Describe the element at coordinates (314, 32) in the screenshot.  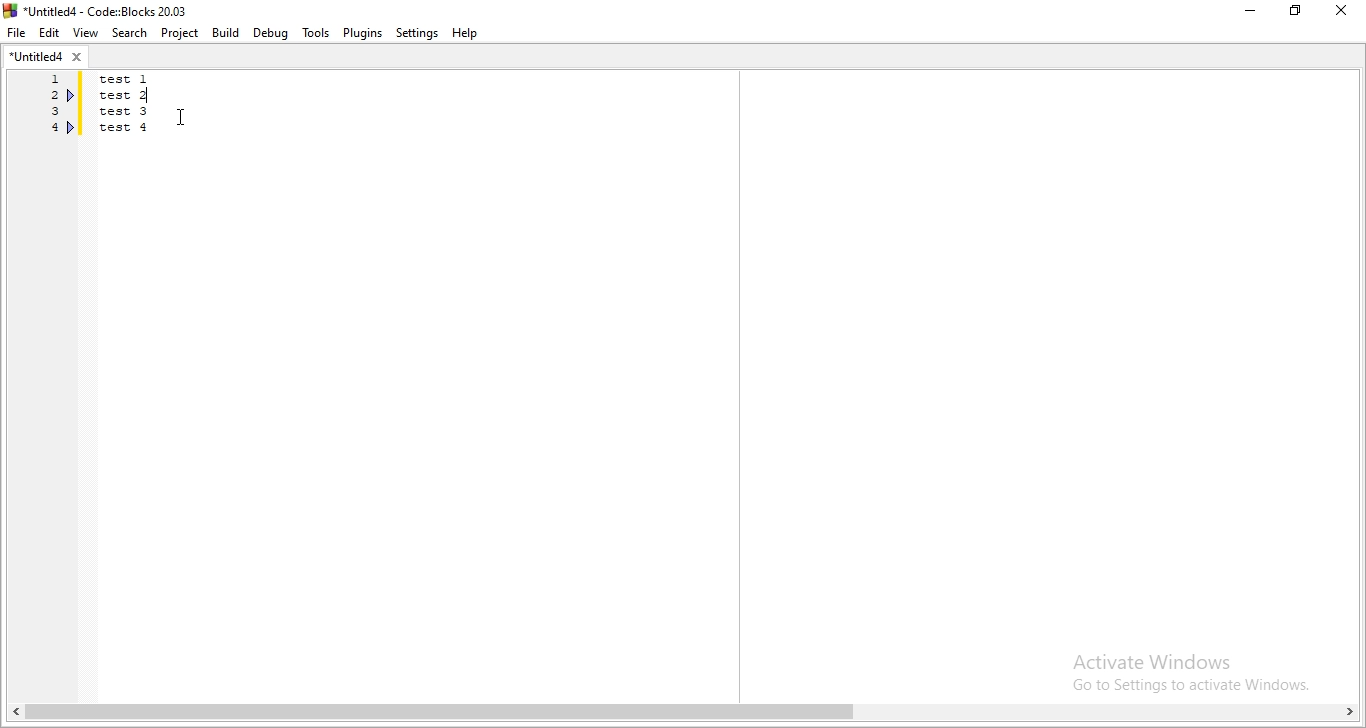
I see `Tools ` at that location.